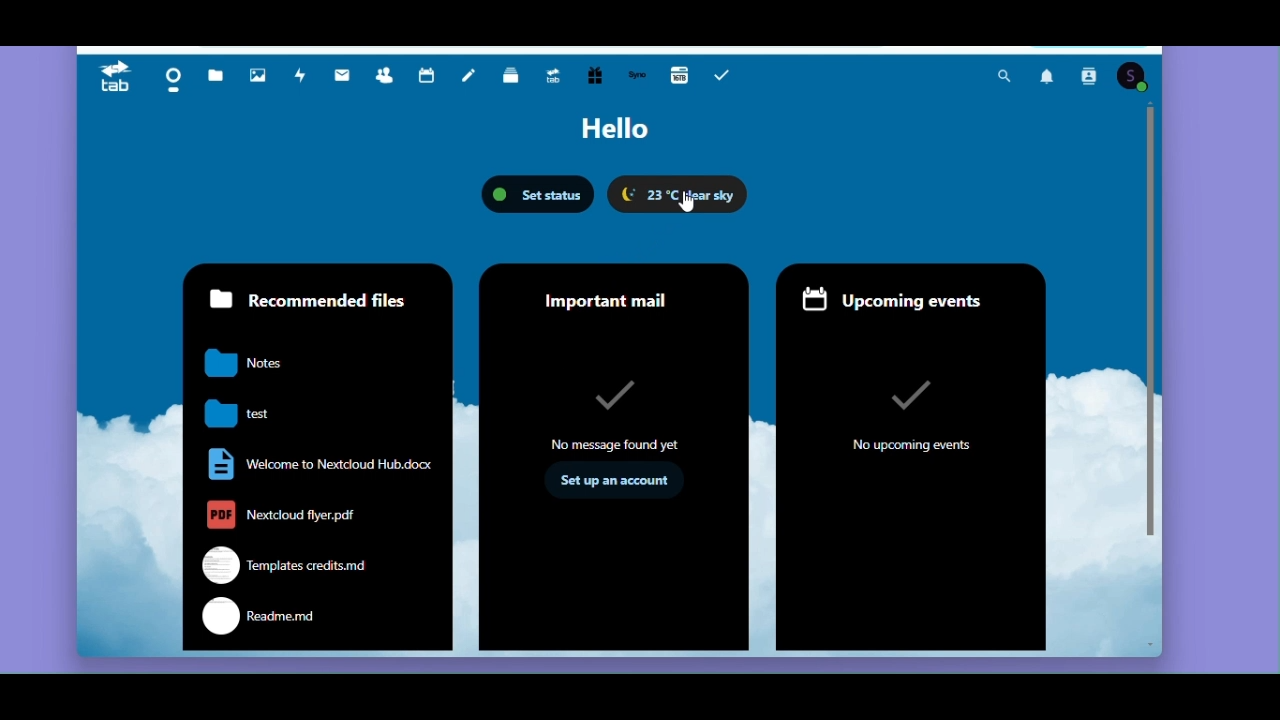 The image size is (1280, 720). What do you see at coordinates (616, 484) in the screenshot?
I see `set up an account` at bounding box center [616, 484].